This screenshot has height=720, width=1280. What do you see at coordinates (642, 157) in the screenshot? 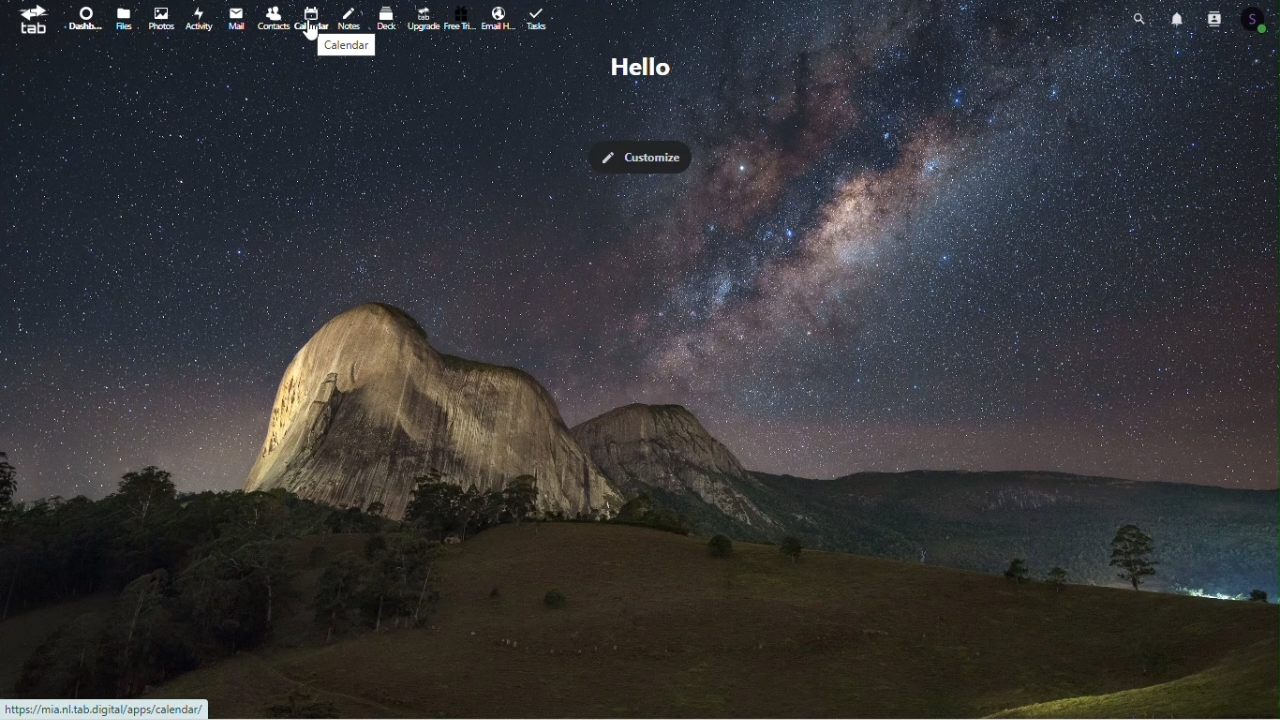
I see `customise` at bounding box center [642, 157].